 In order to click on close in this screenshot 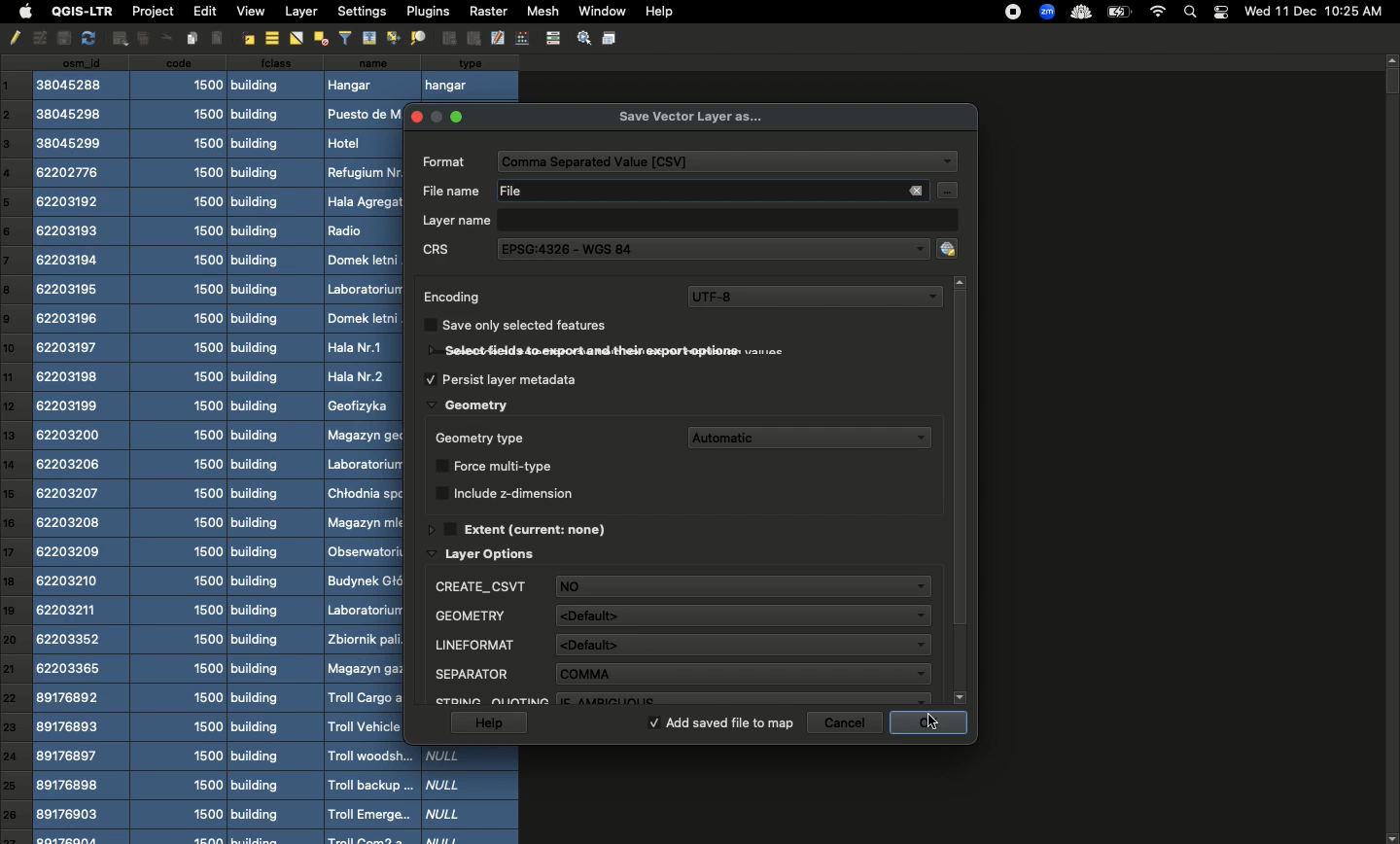, I will do `click(419, 114)`.